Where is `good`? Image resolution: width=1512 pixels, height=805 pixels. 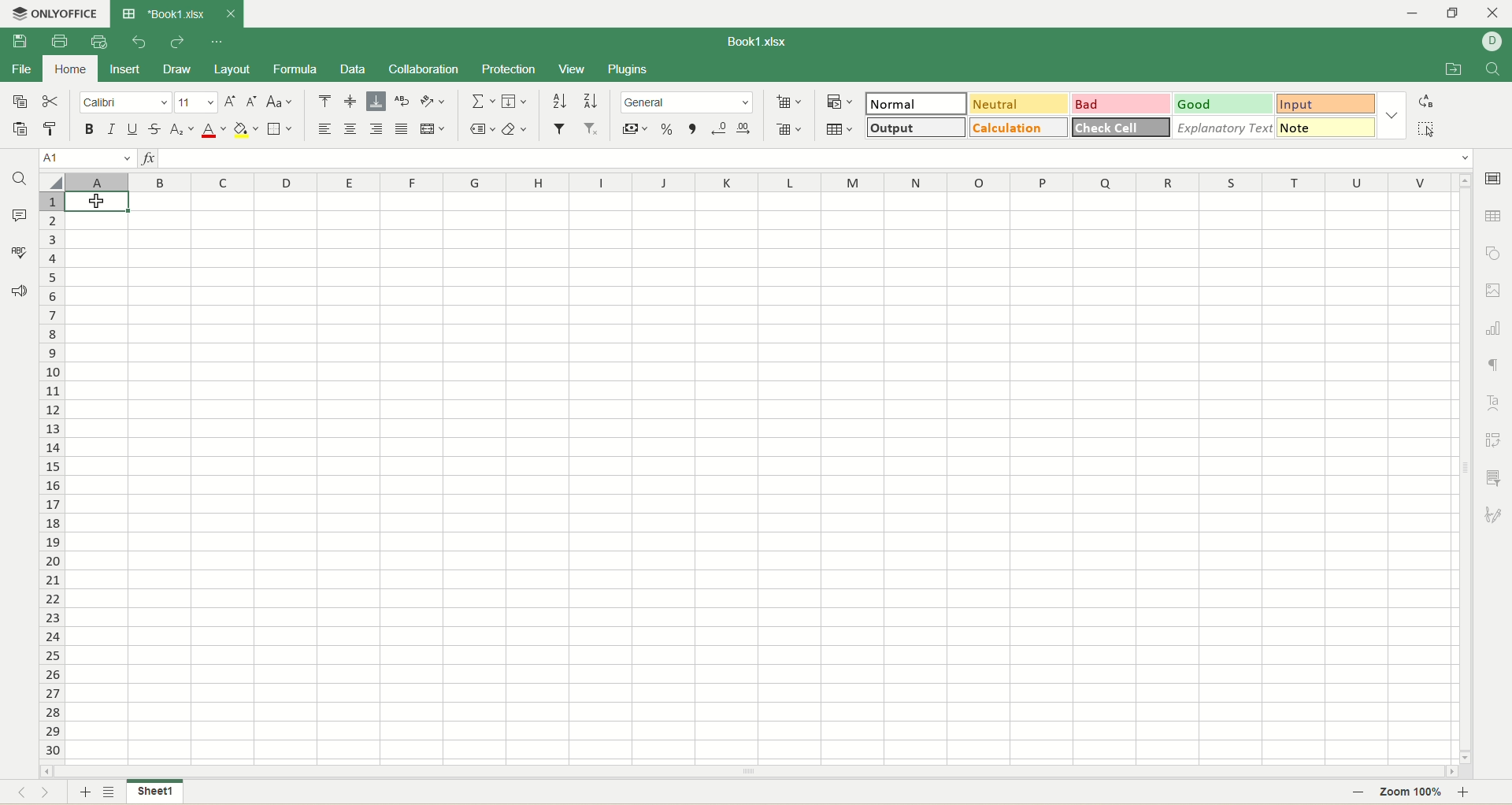 good is located at coordinates (1225, 104).